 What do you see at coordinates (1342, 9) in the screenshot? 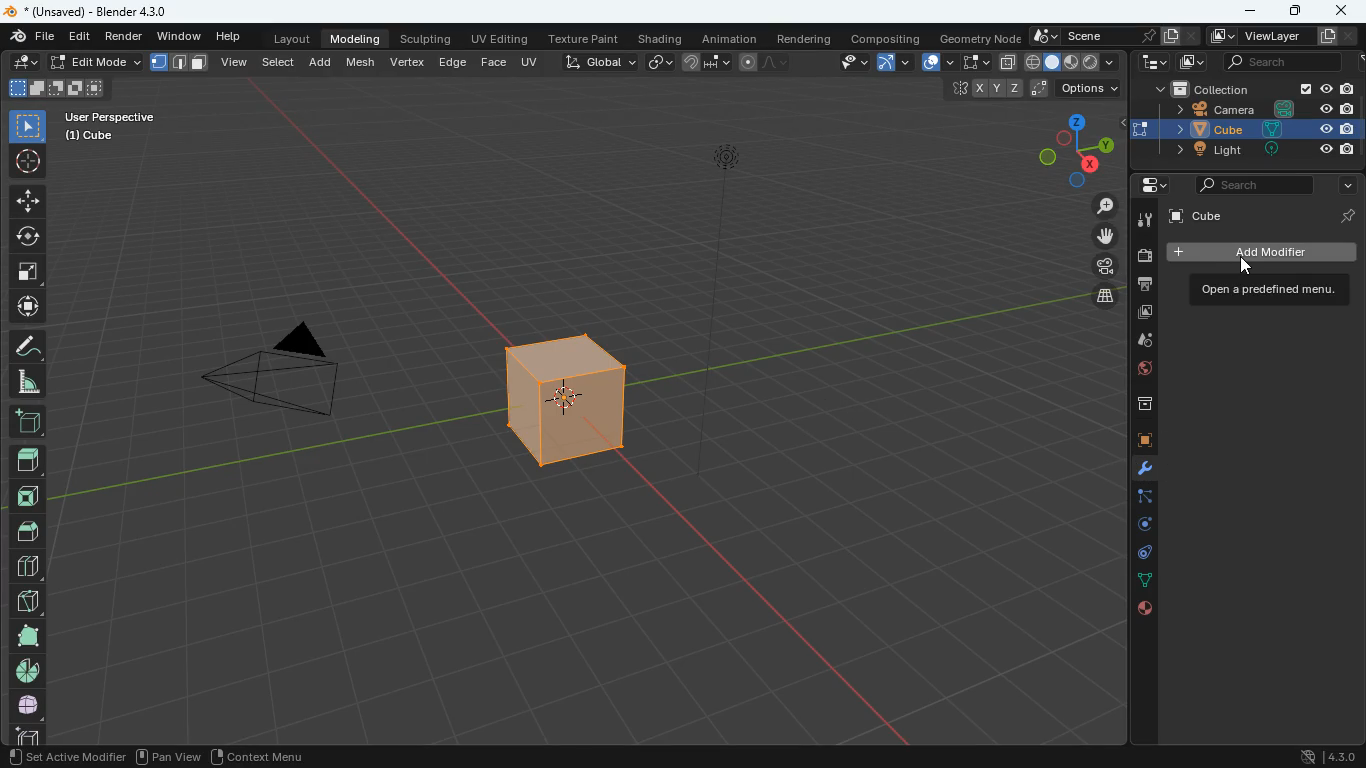
I see `close` at bounding box center [1342, 9].